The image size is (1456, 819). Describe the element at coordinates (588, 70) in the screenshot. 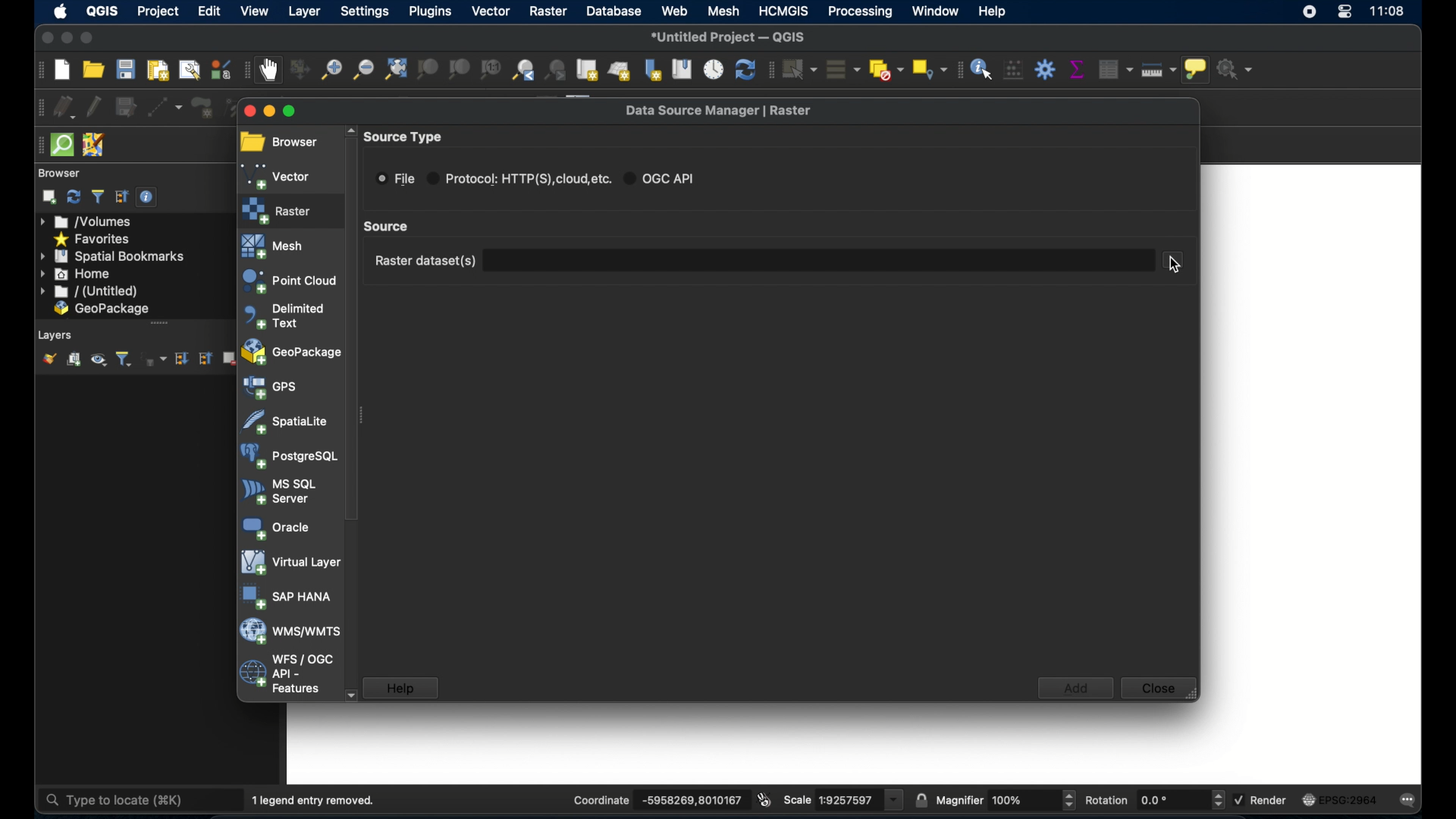

I see `new map view` at that location.